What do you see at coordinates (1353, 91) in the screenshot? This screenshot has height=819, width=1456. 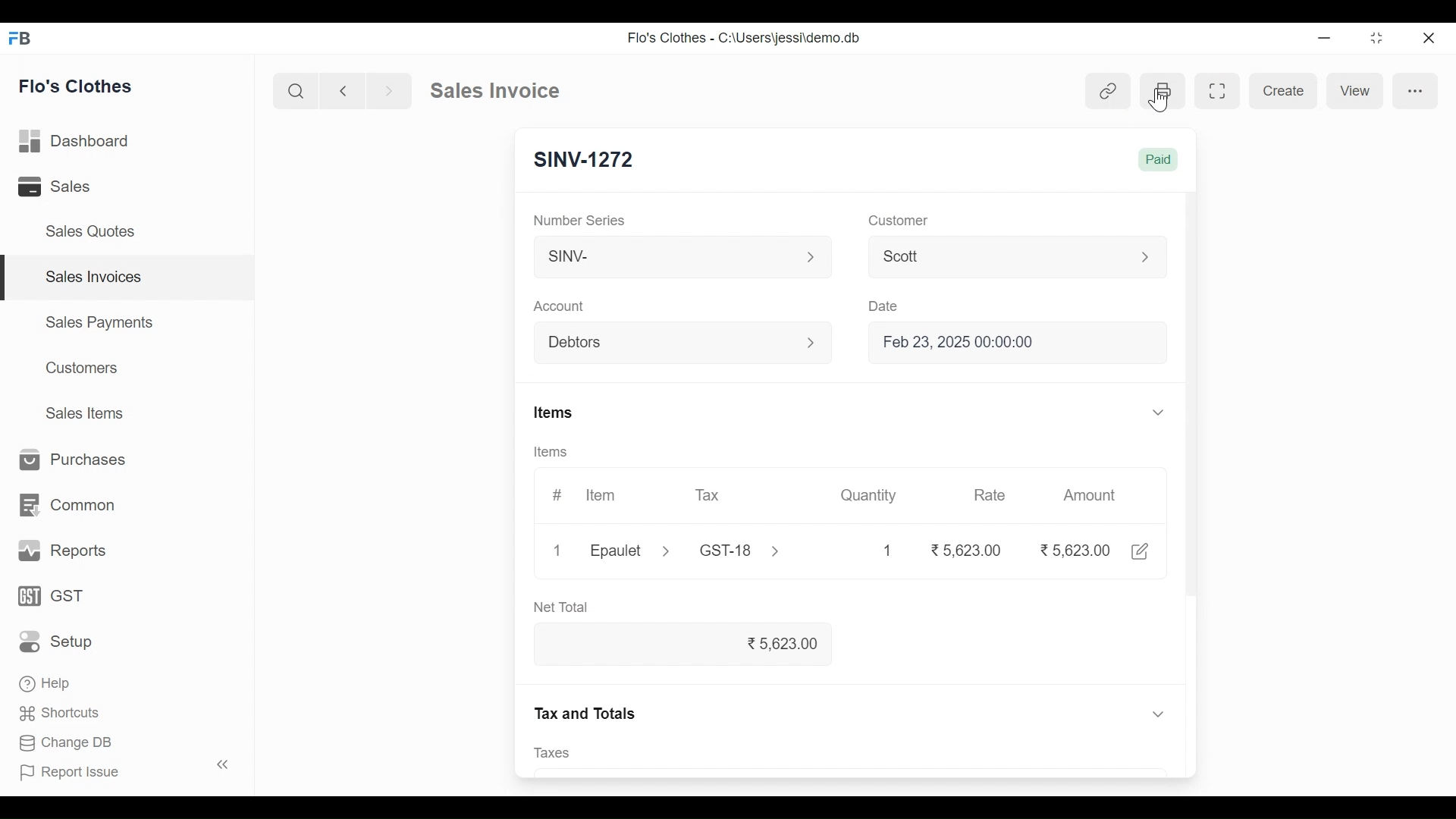 I see `View` at bounding box center [1353, 91].